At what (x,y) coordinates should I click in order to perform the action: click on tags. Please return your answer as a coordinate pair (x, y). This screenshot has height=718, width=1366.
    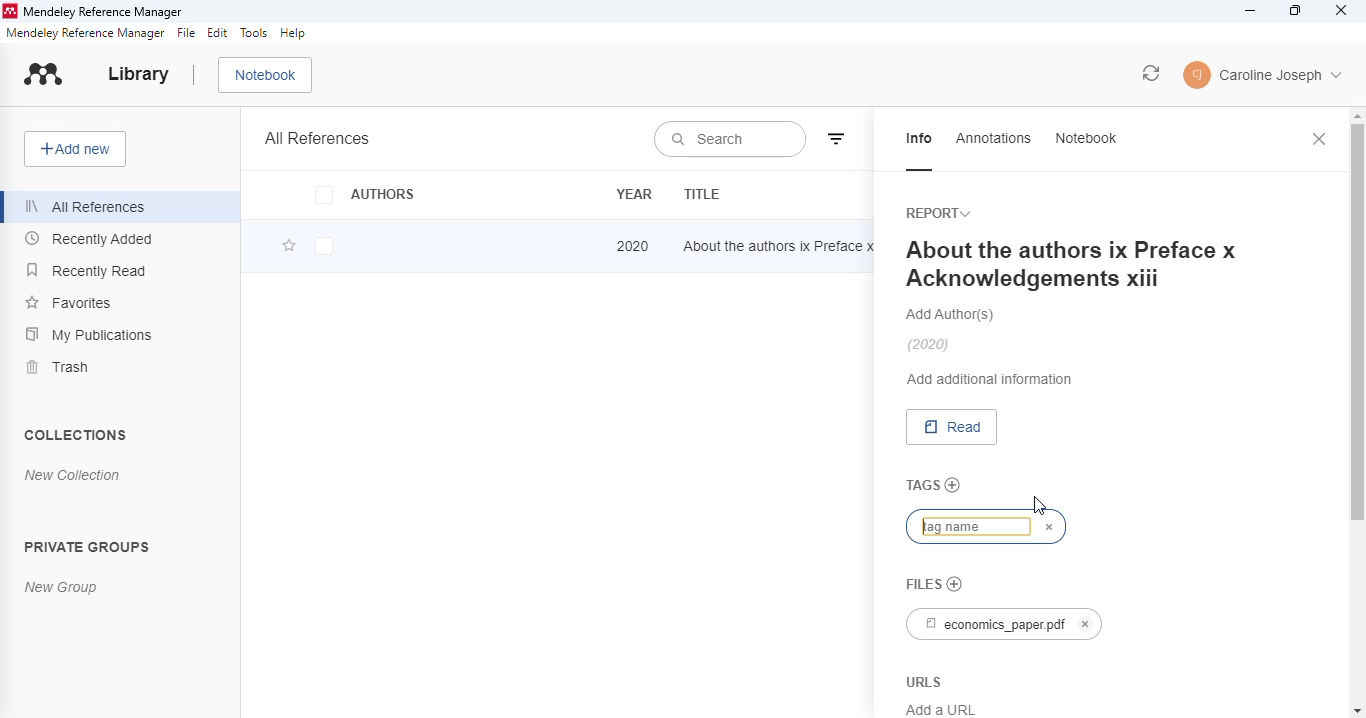
    Looking at the image, I should click on (922, 484).